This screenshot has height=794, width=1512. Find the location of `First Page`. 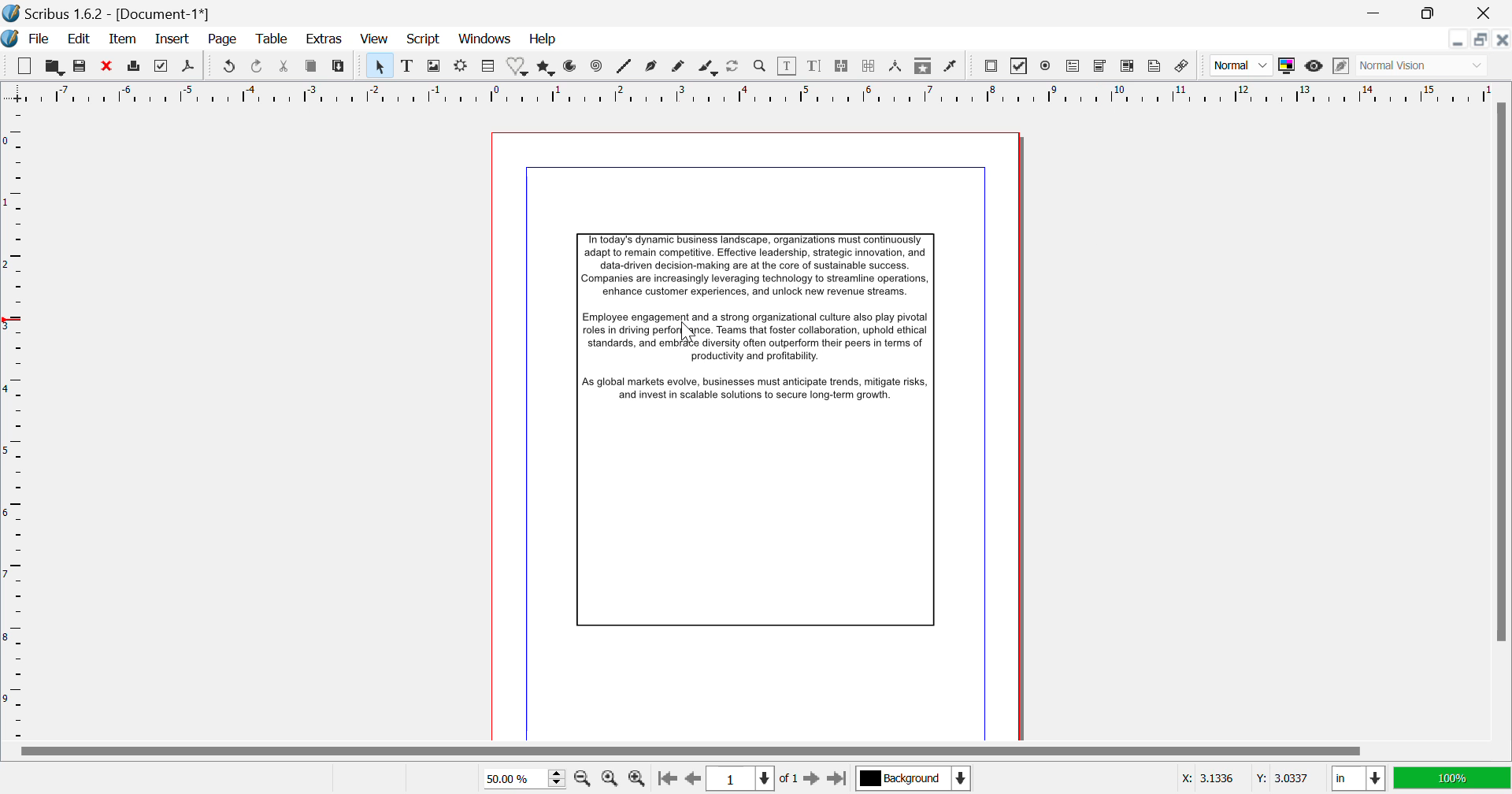

First Page is located at coordinates (666, 779).